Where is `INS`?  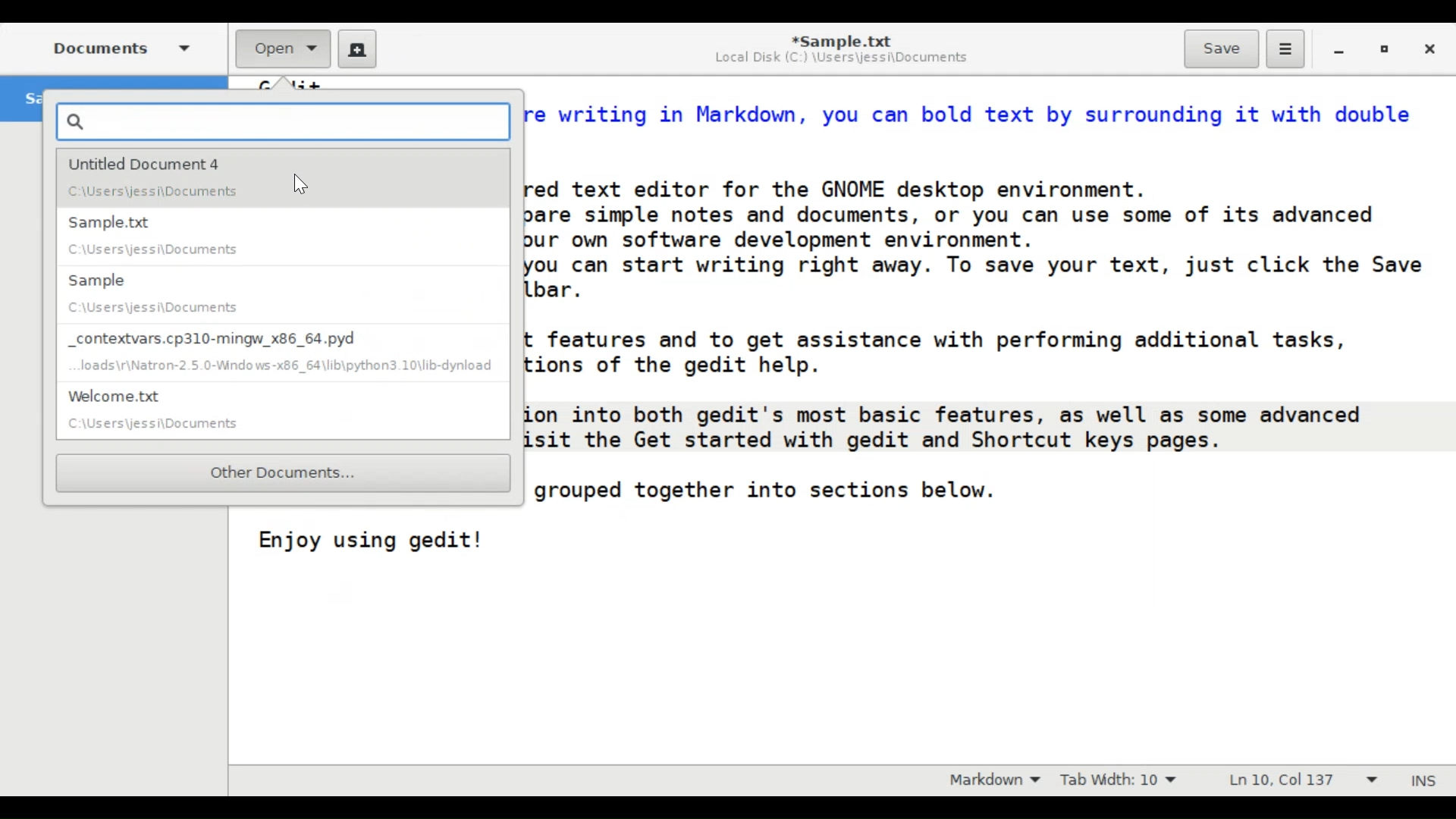
INS is located at coordinates (1426, 780).